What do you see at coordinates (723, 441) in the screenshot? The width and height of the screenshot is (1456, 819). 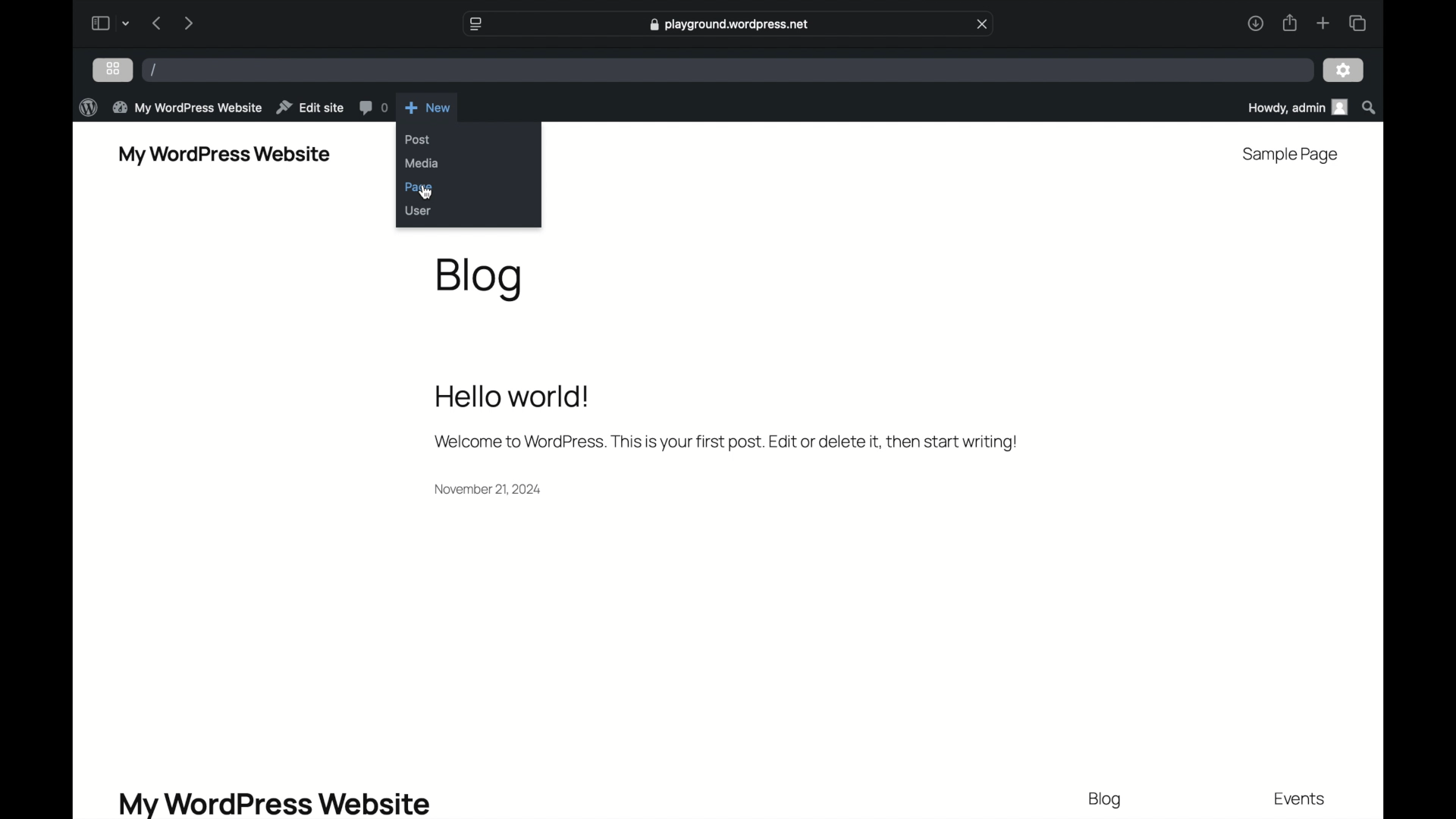 I see `Welcome message` at bounding box center [723, 441].